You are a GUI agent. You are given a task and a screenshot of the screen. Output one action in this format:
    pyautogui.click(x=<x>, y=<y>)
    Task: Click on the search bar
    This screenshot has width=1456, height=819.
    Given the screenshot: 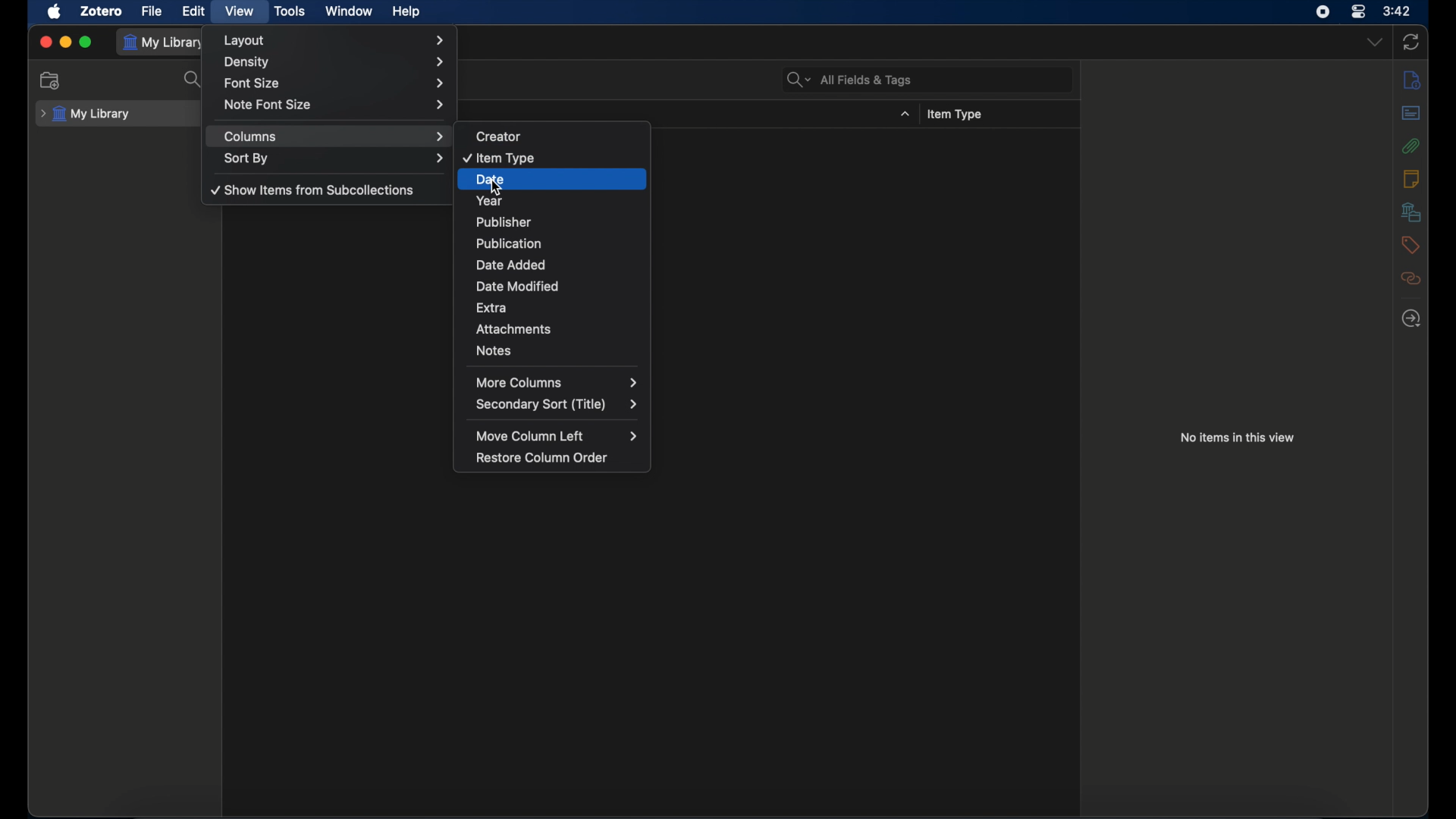 What is the action you would take?
    pyautogui.click(x=850, y=80)
    